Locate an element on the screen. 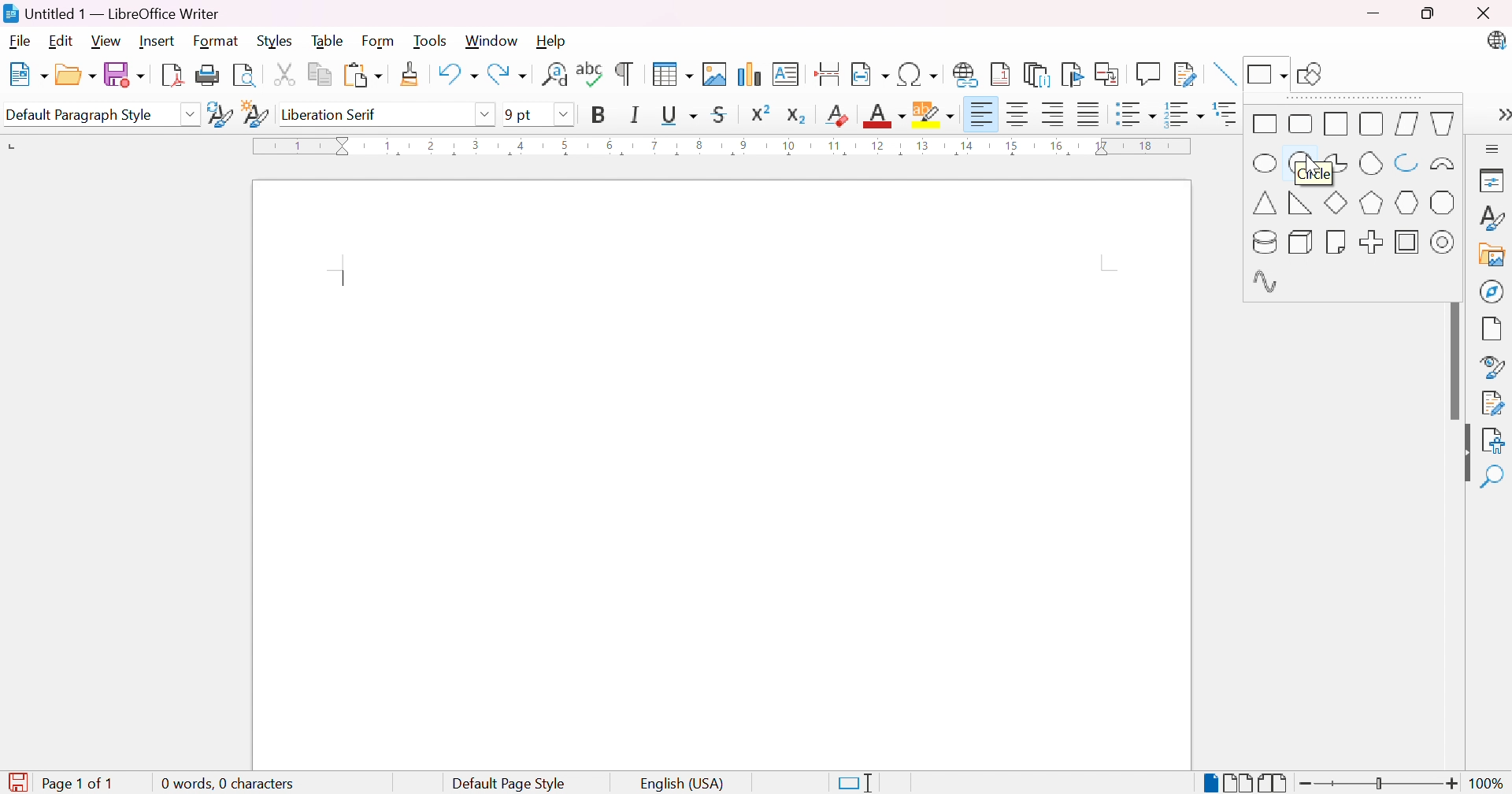  Page is located at coordinates (1492, 331).